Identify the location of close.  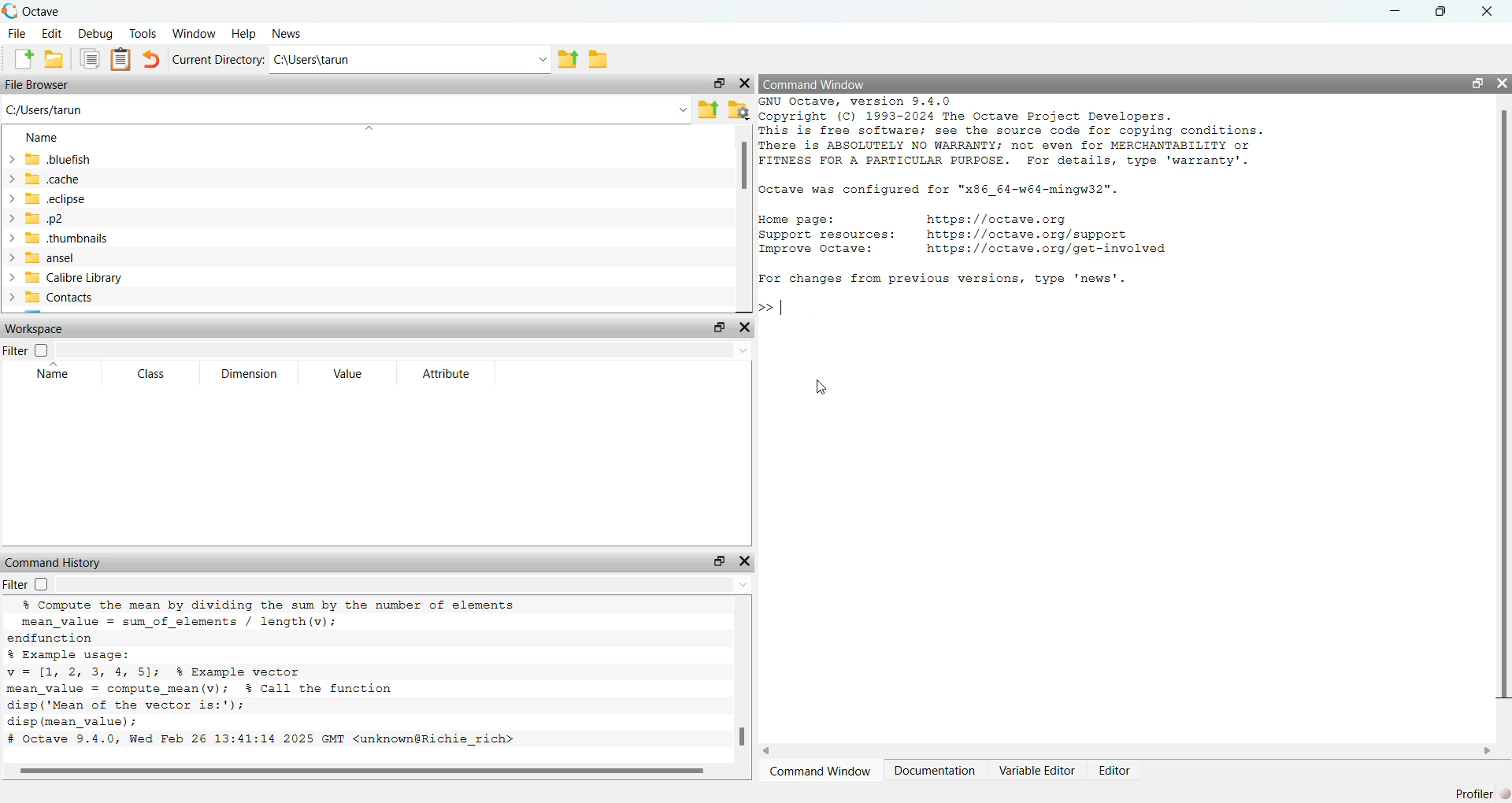
(745, 326).